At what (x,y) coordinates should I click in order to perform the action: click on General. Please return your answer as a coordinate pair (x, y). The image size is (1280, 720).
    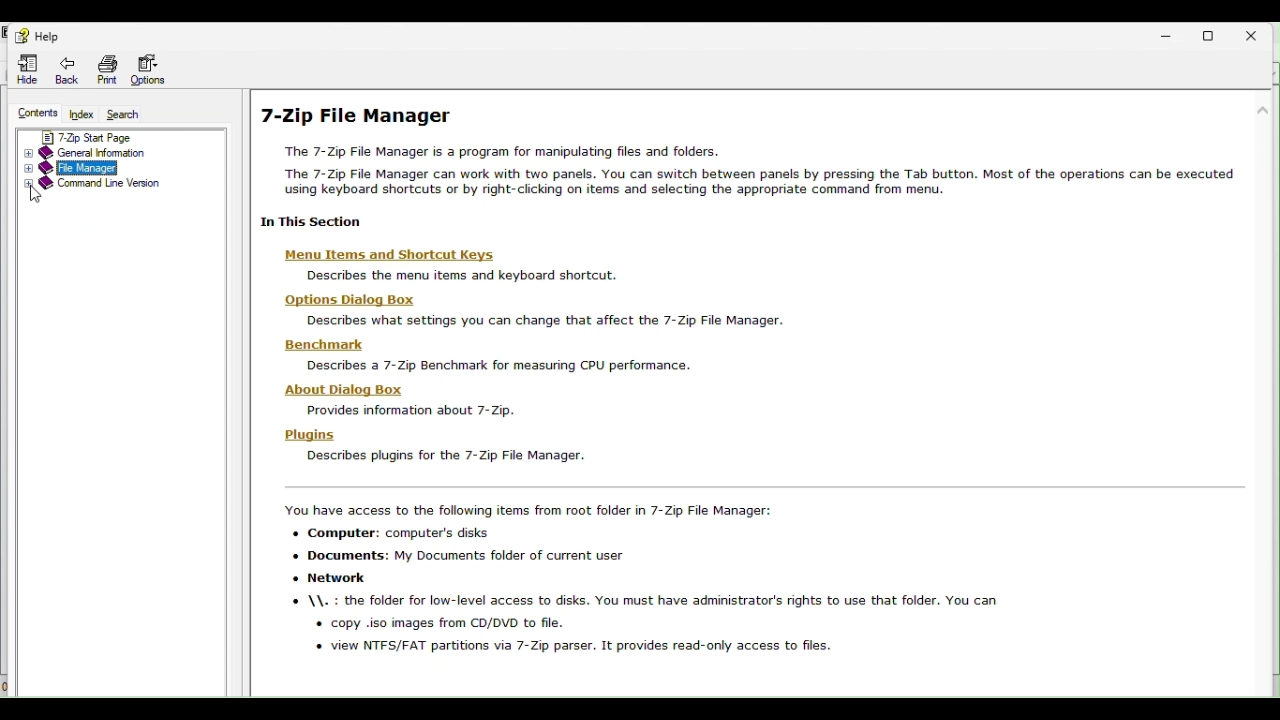
    Looking at the image, I should click on (119, 153).